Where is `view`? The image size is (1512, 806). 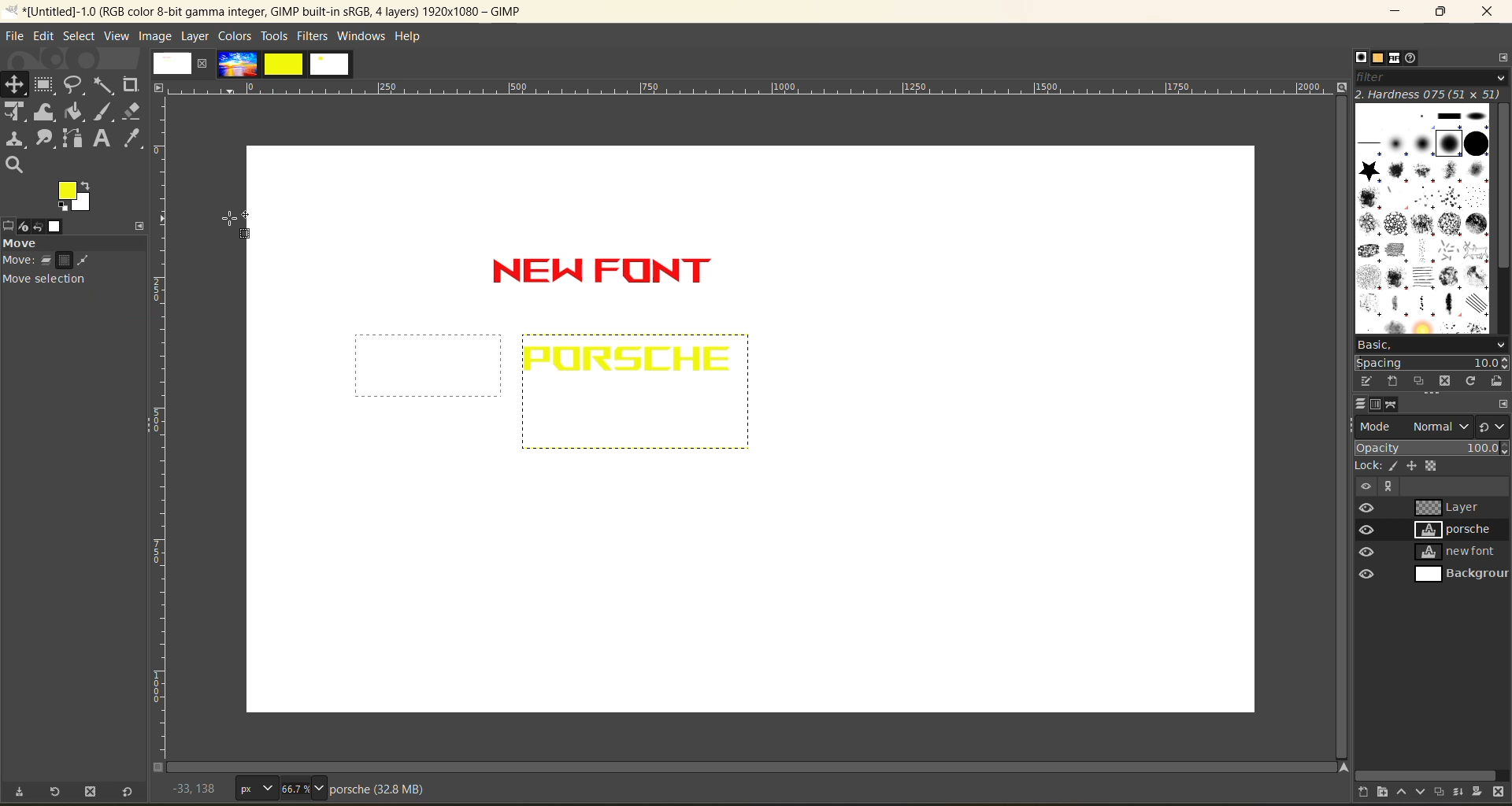
view is located at coordinates (116, 38).